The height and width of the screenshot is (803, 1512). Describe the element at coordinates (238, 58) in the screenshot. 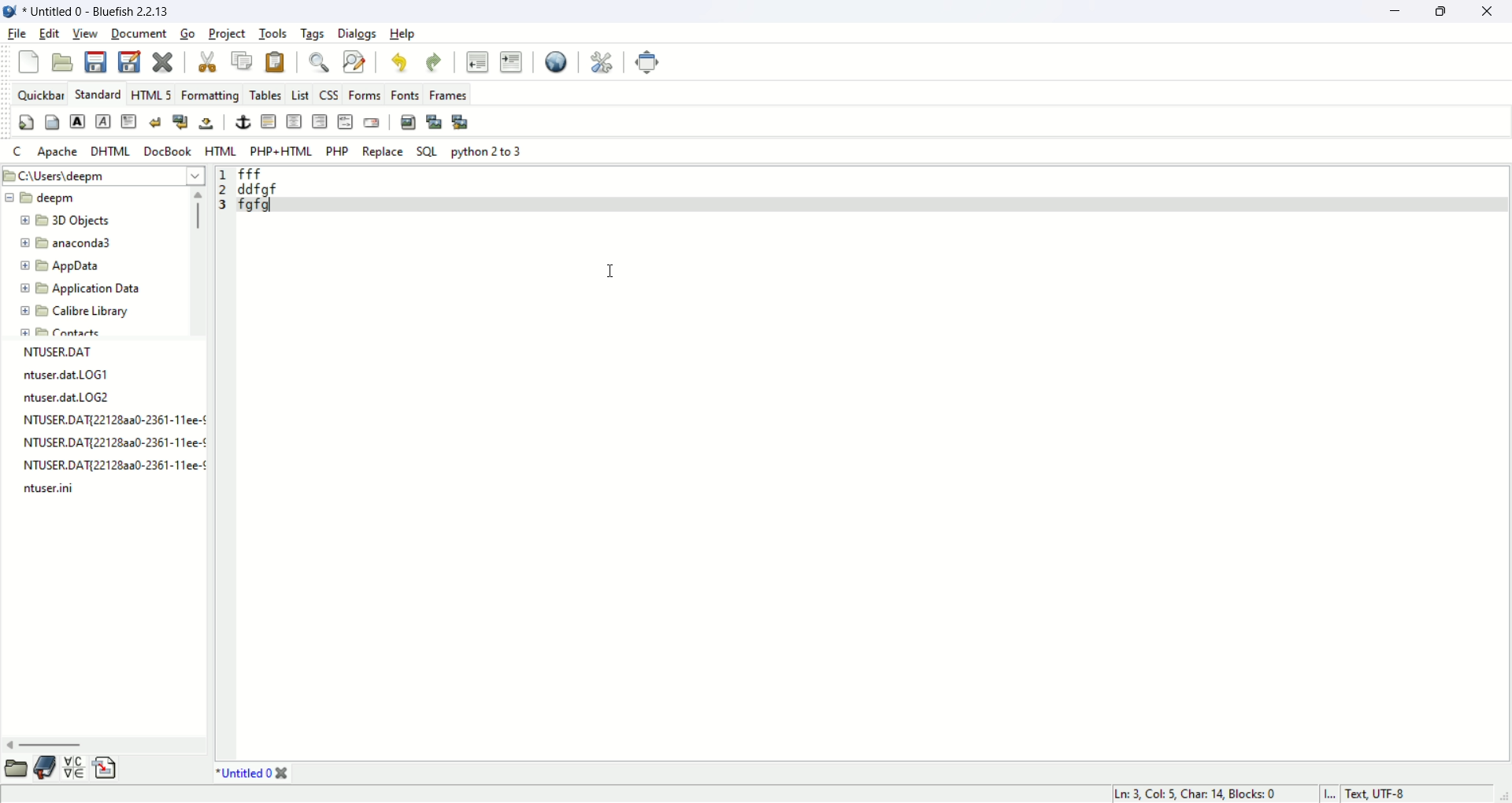

I see `copy` at that location.